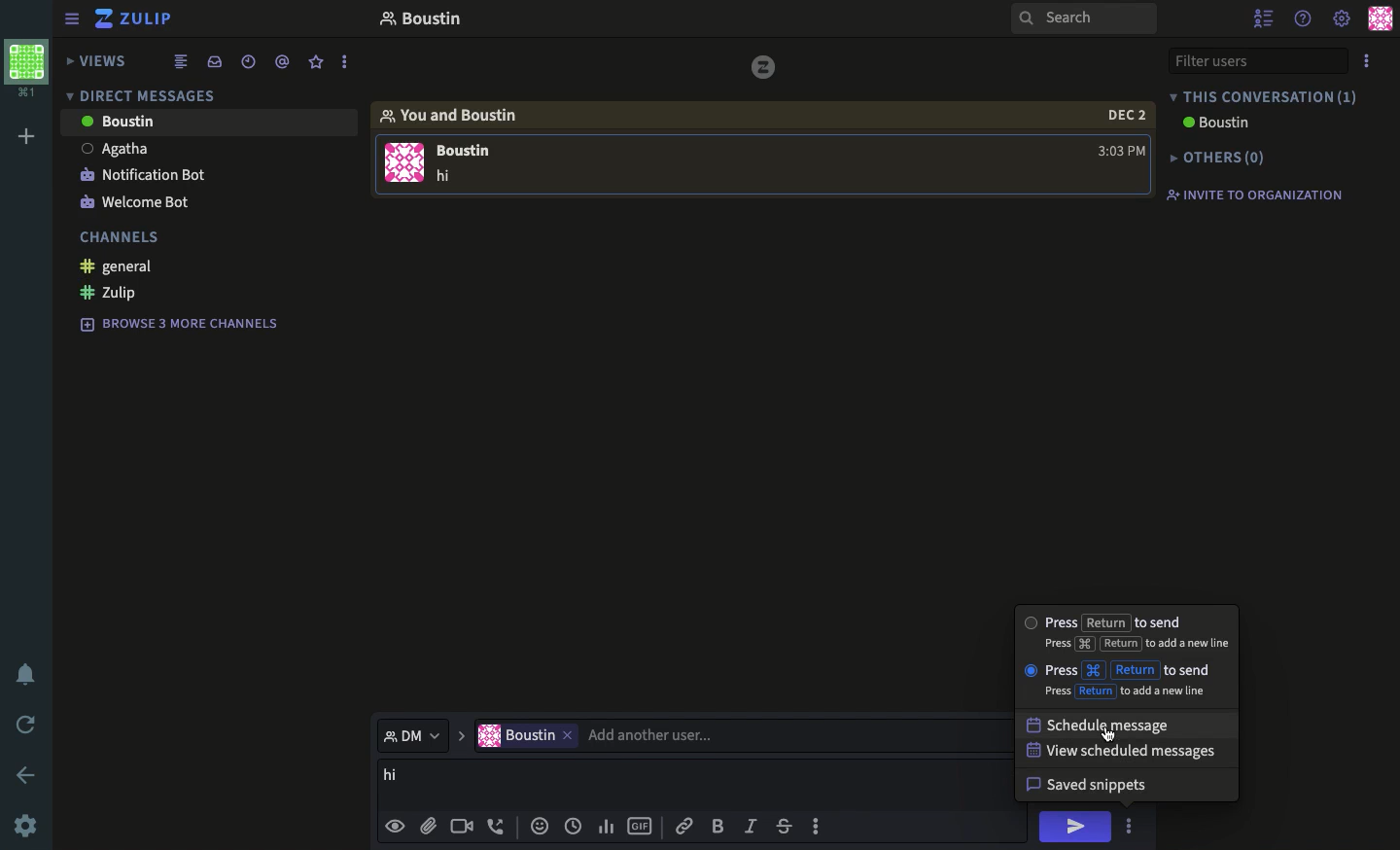 This screenshot has width=1400, height=850. Describe the element at coordinates (1220, 123) in the screenshot. I see `Boustin` at that location.